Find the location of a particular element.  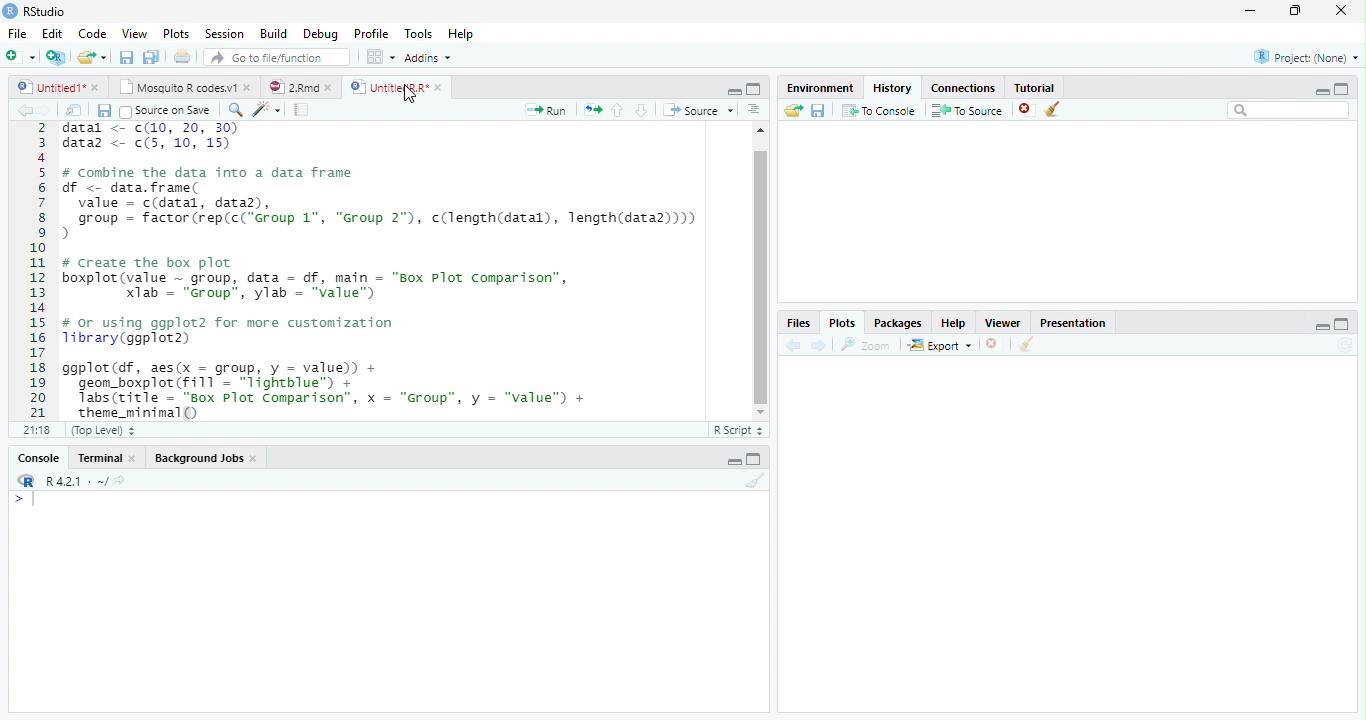

Source on Save is located at coordinates (168, 111).